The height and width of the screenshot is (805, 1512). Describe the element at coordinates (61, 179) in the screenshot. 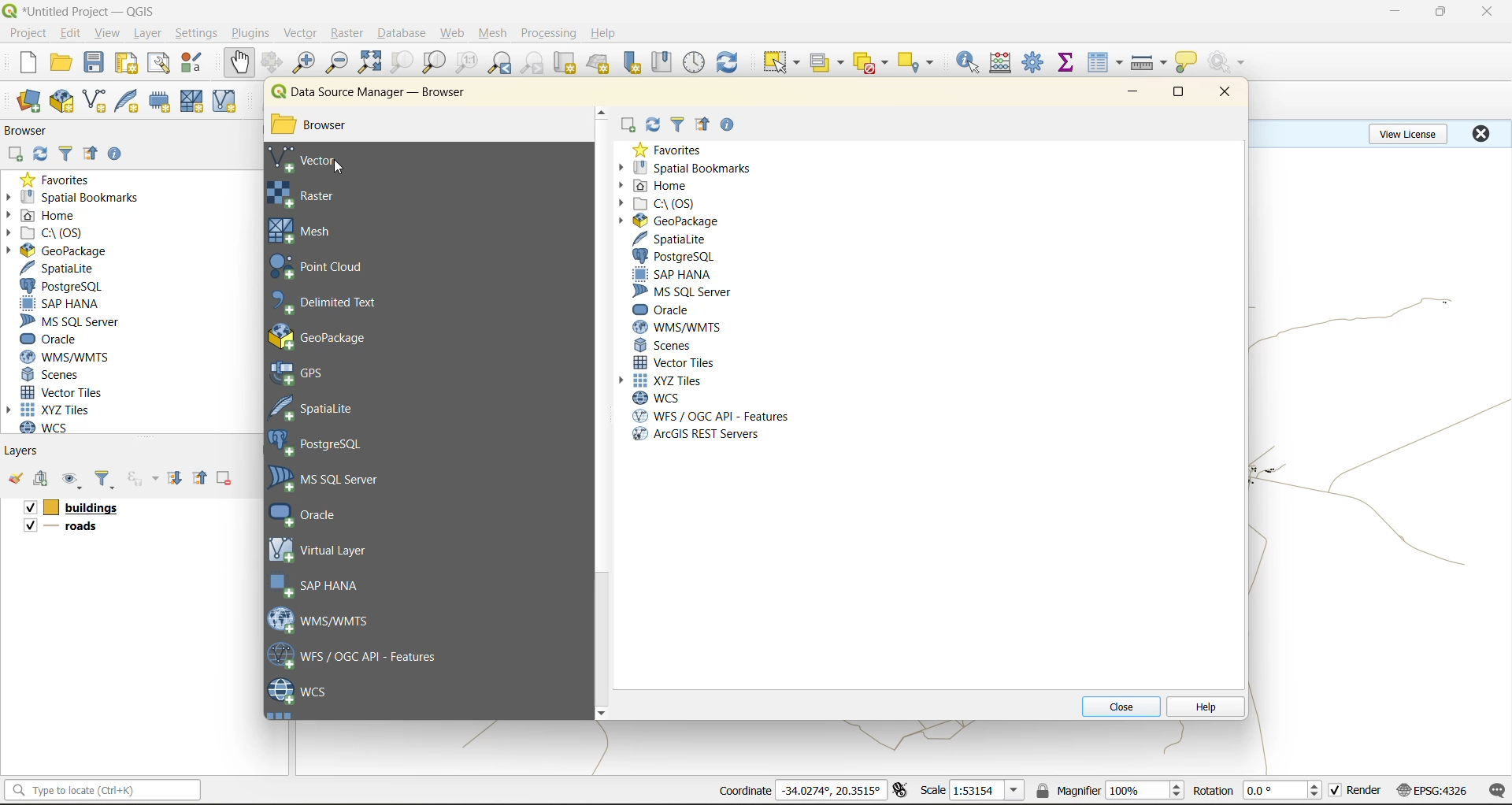

I see `favorites` at that location.